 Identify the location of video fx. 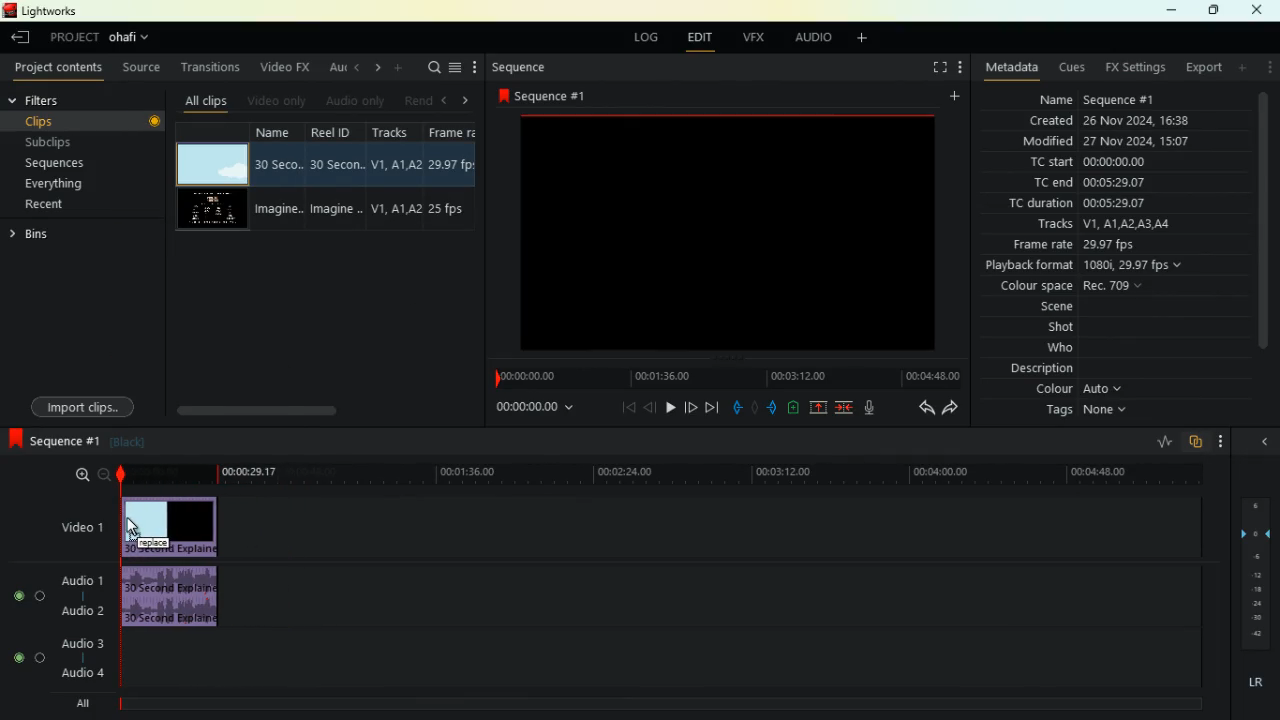
(286, 67).